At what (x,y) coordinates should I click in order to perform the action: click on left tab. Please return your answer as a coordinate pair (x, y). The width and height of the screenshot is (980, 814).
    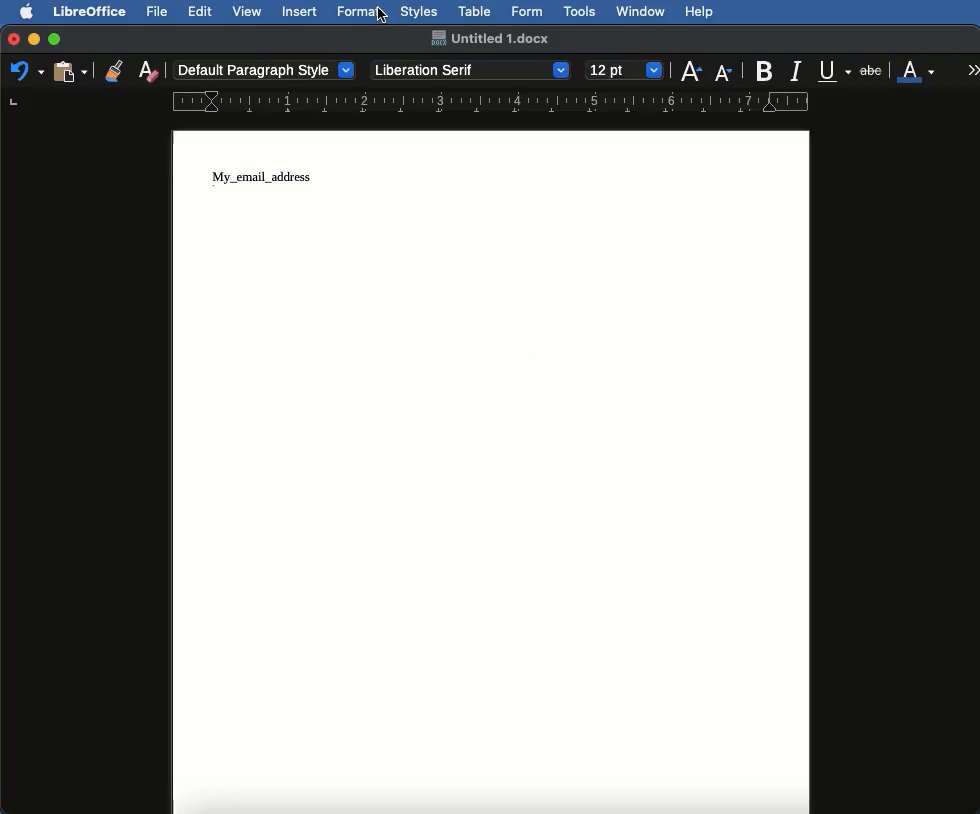
    Looking at the image, I should click on (15, 102).